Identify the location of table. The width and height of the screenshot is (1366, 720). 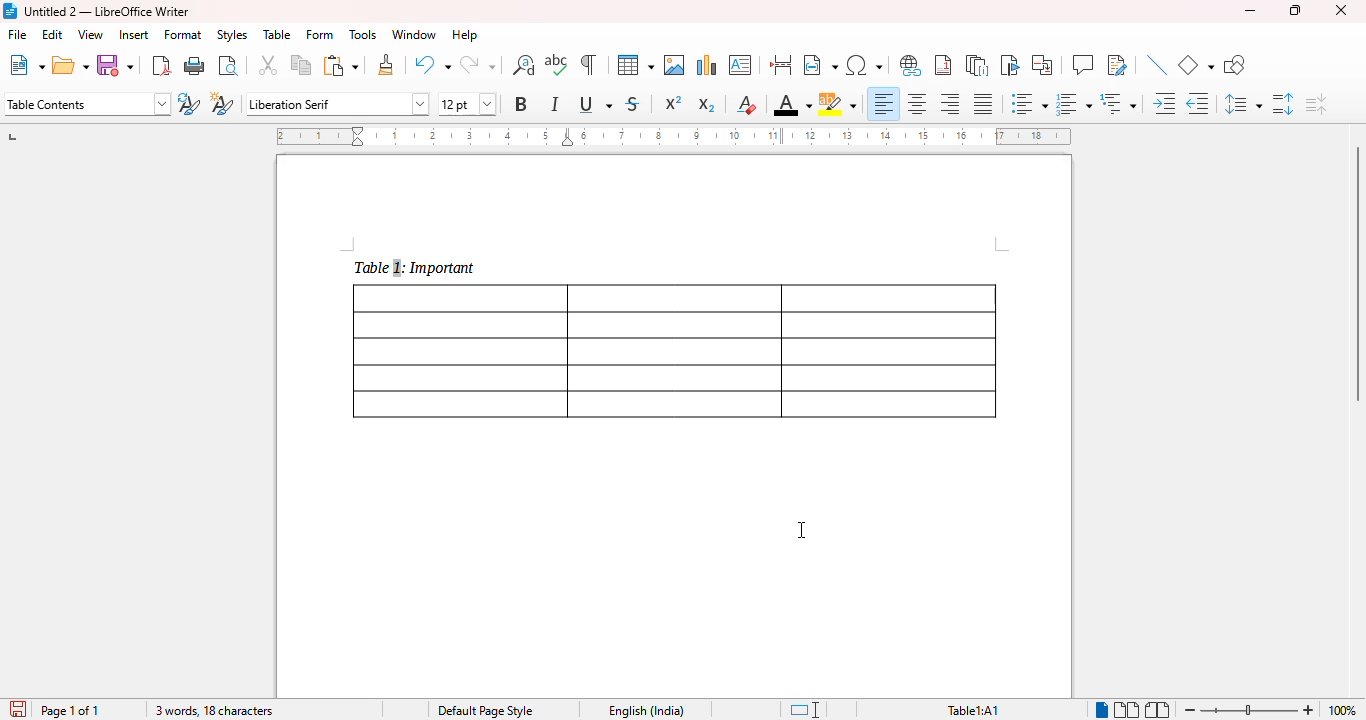
(636, 65).